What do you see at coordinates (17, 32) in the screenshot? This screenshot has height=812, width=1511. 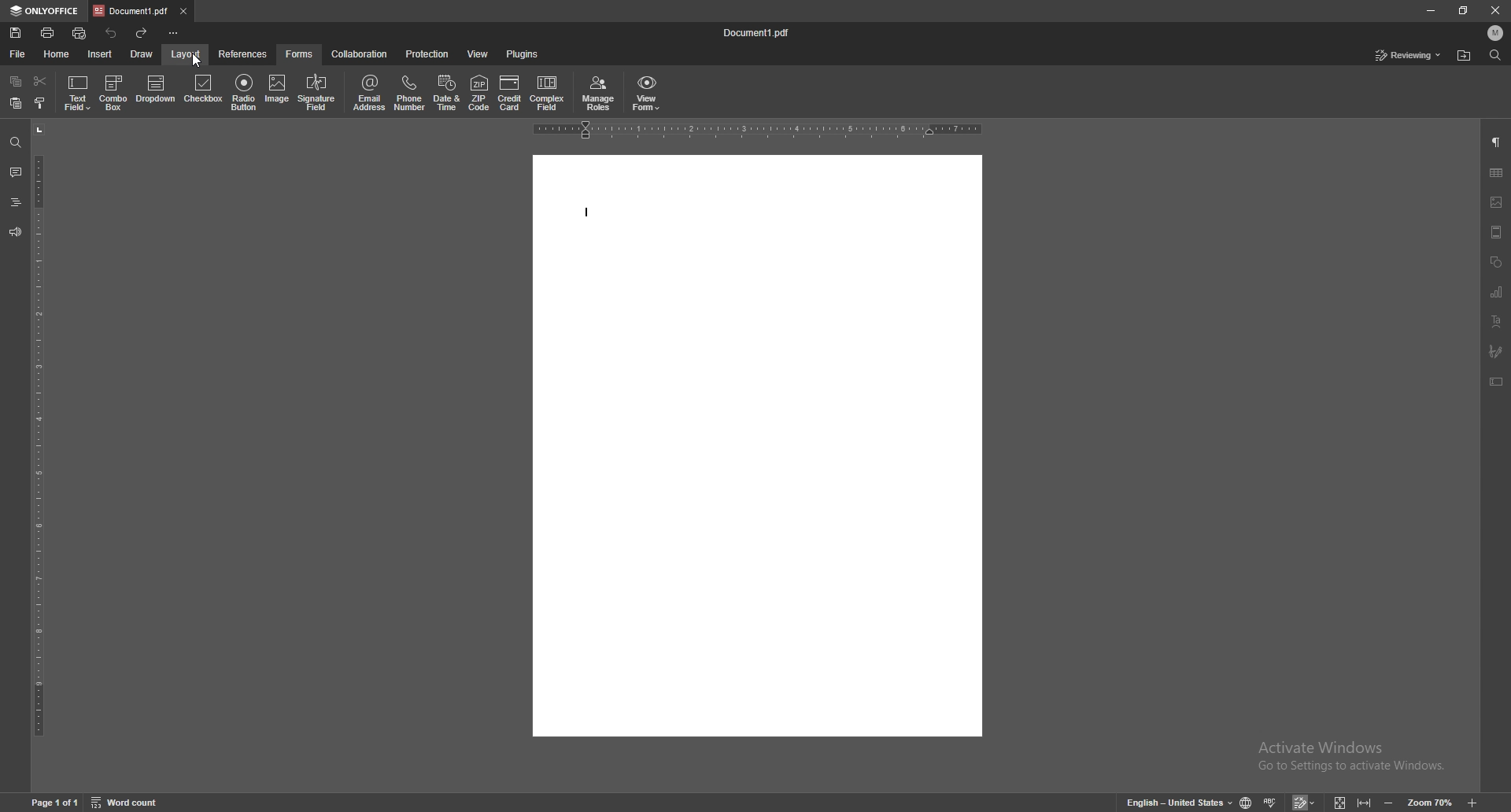 I see `save` at bounding box center [17, 32].